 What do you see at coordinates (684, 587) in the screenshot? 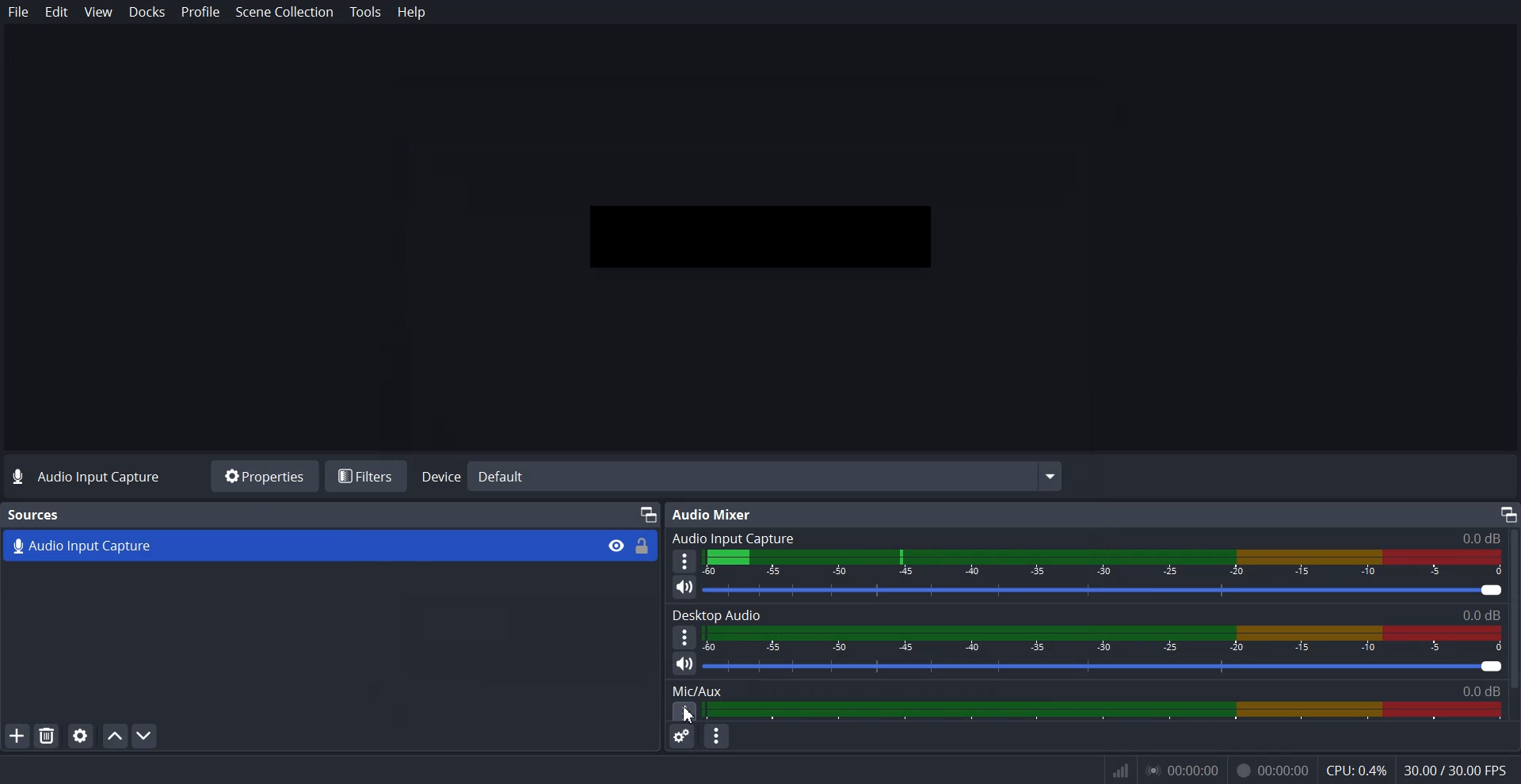
I see `Mute` at bounding box center [684, 587].